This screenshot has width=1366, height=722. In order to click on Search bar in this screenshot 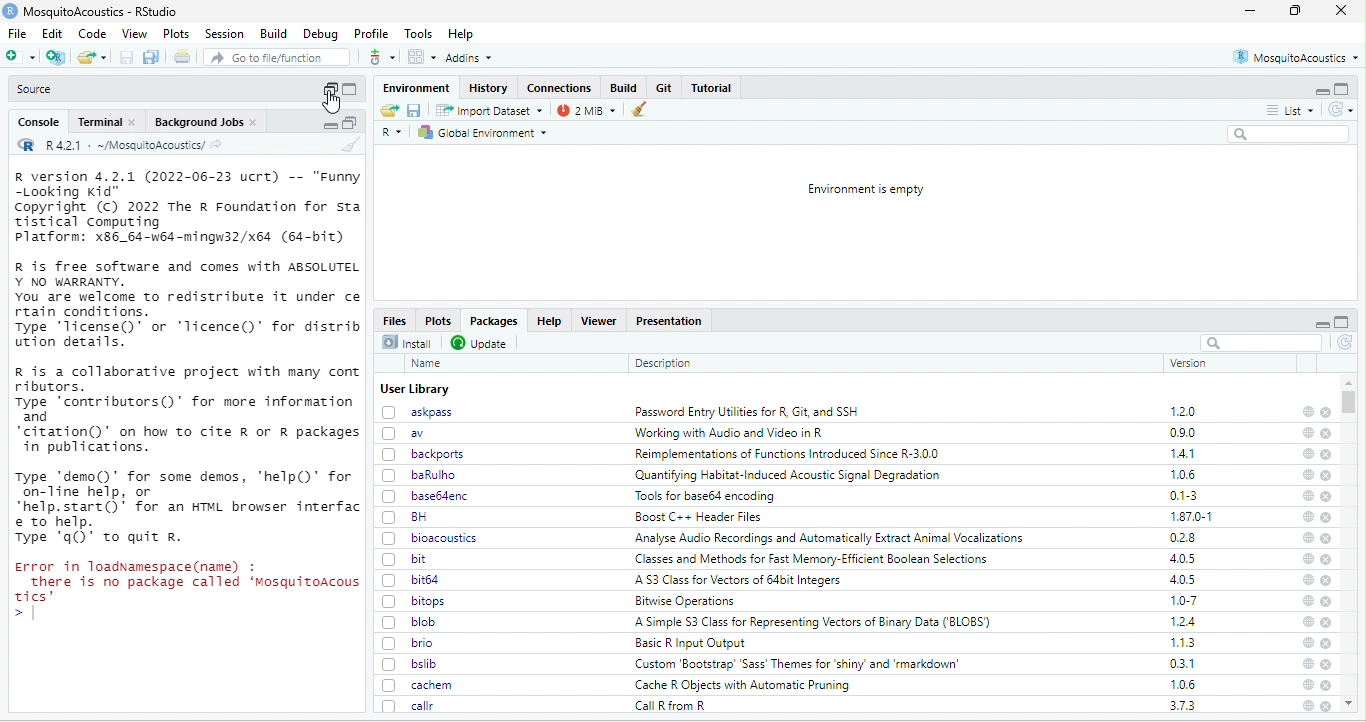, I will do `click(1290, 134)`.